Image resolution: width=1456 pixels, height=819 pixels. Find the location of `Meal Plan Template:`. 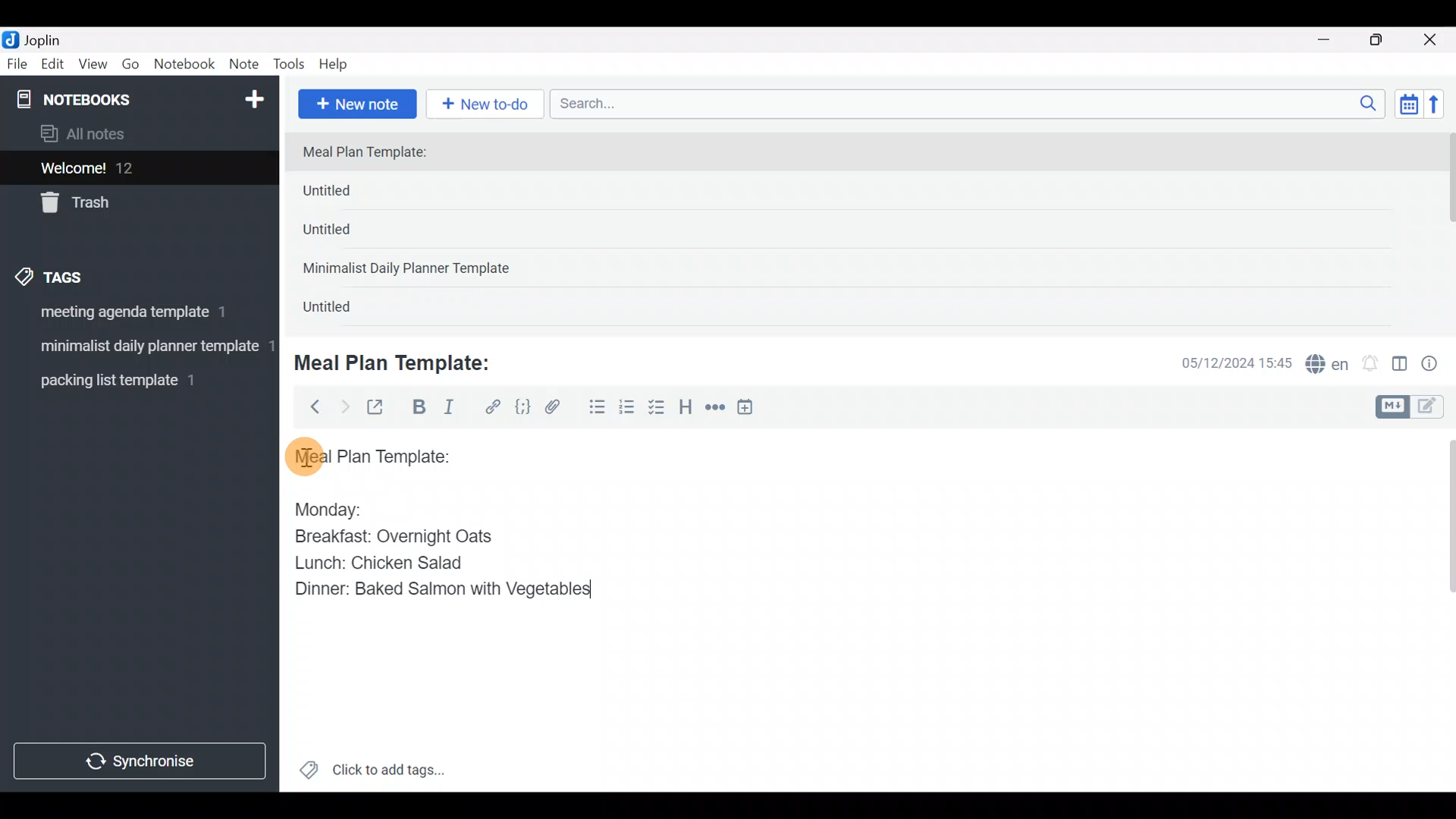

Meal Plan Template: is located at coordinates (402, 361).